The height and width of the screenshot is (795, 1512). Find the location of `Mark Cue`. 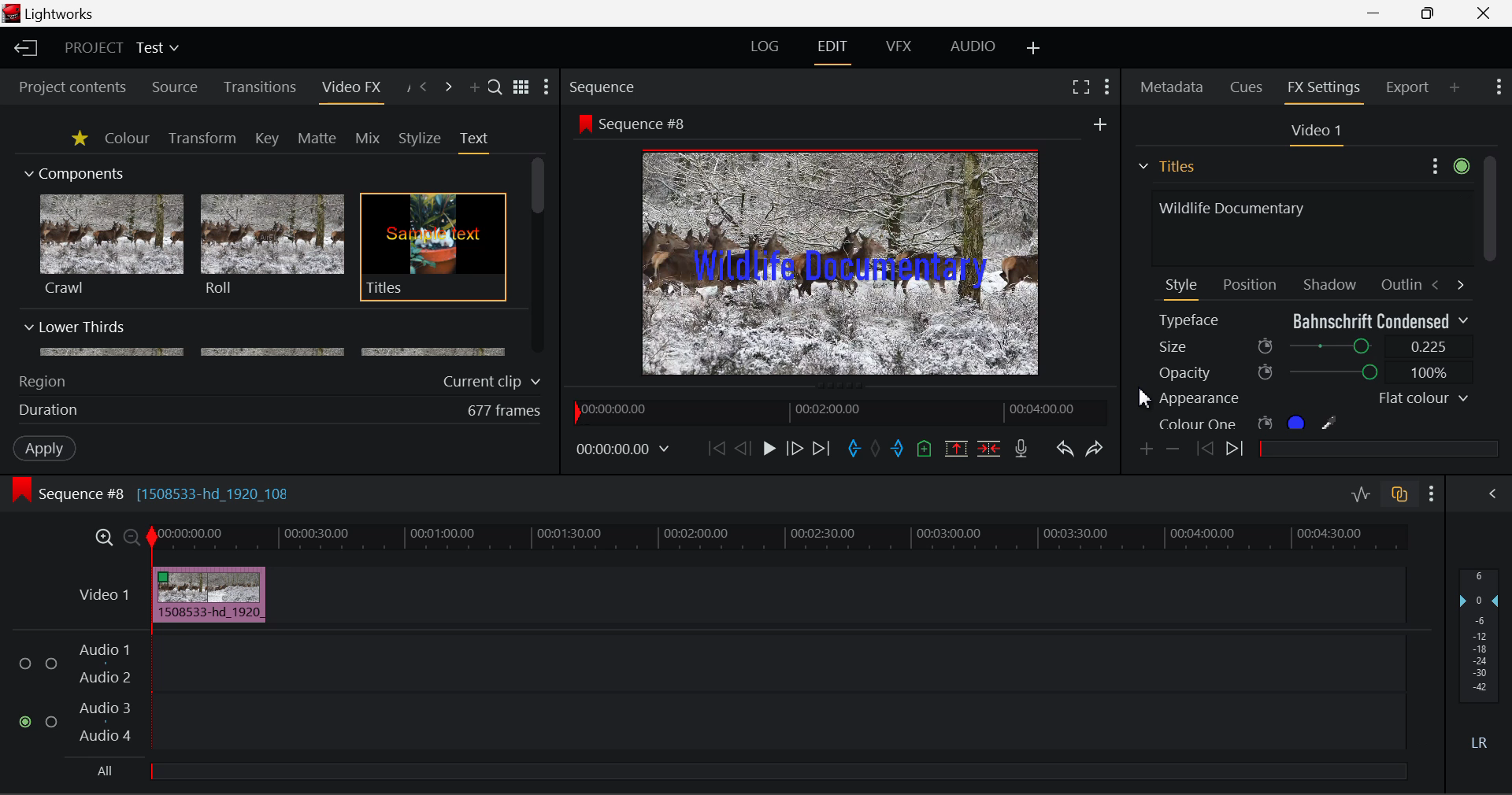

Mark Cue is located at coordinates (926, 450).